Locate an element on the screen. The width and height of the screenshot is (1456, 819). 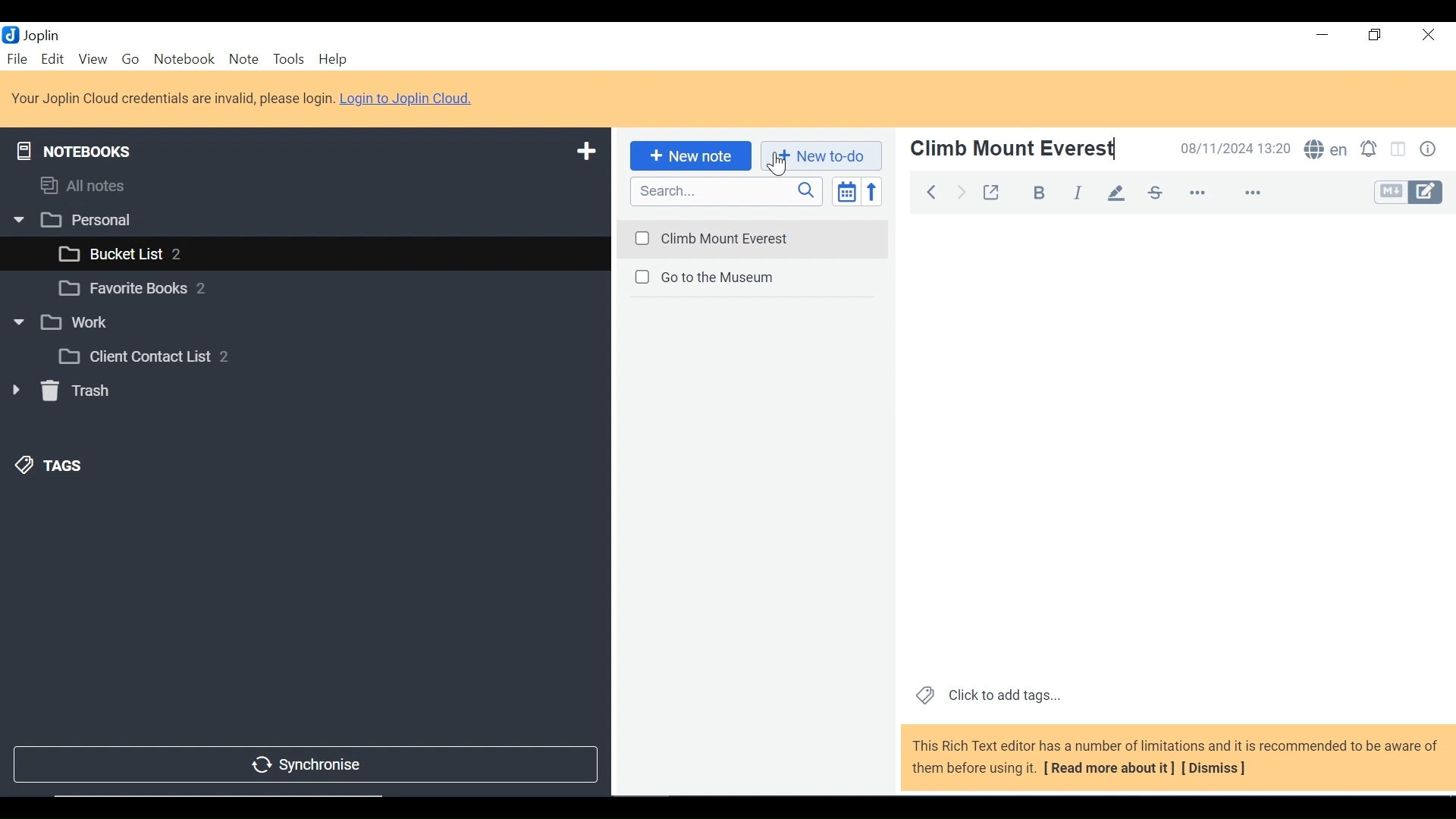
Set alarm is located at coordinates (1372, 150).